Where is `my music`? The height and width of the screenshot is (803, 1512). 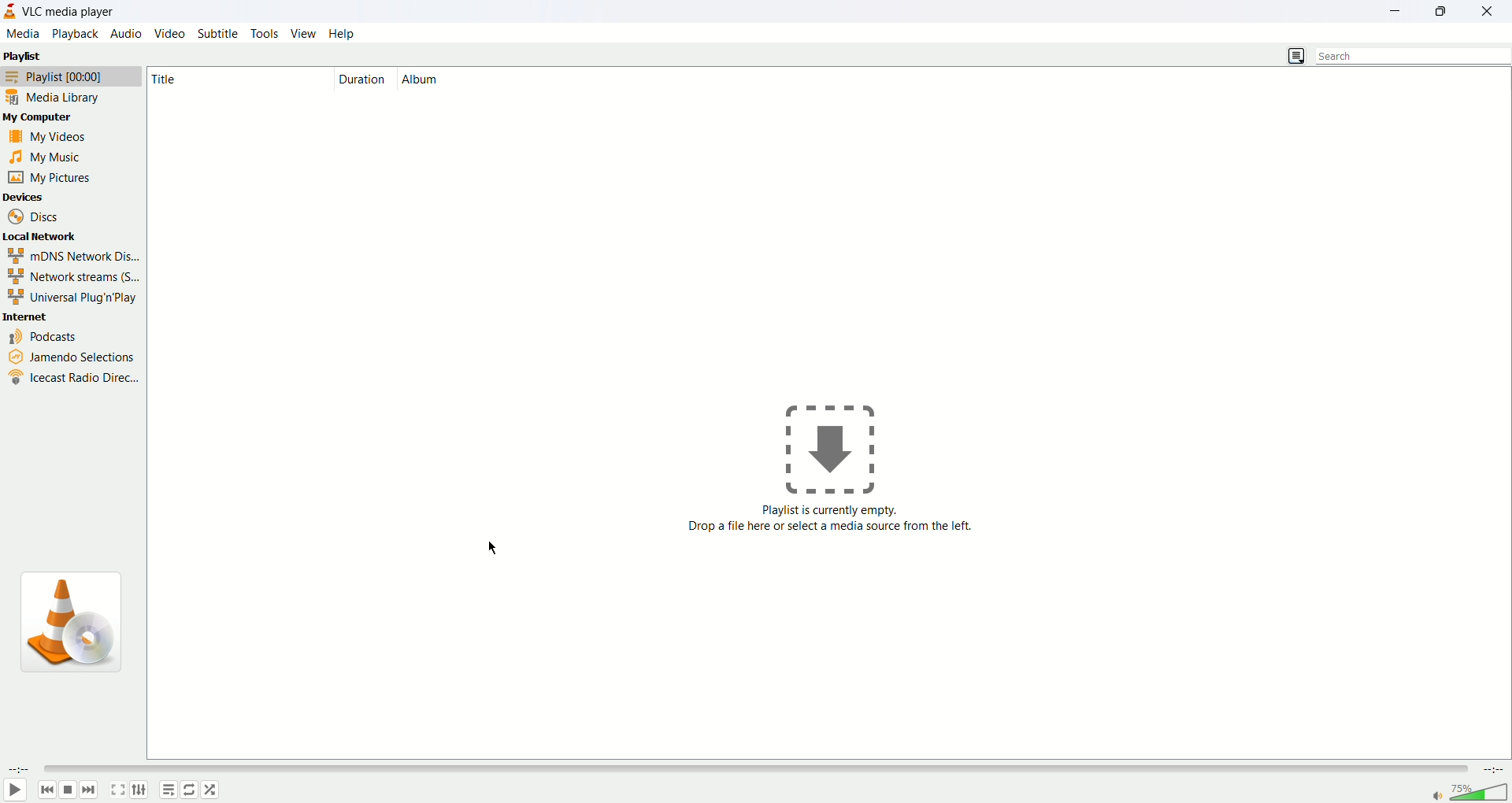
my music is located at coordinates (57, 158).